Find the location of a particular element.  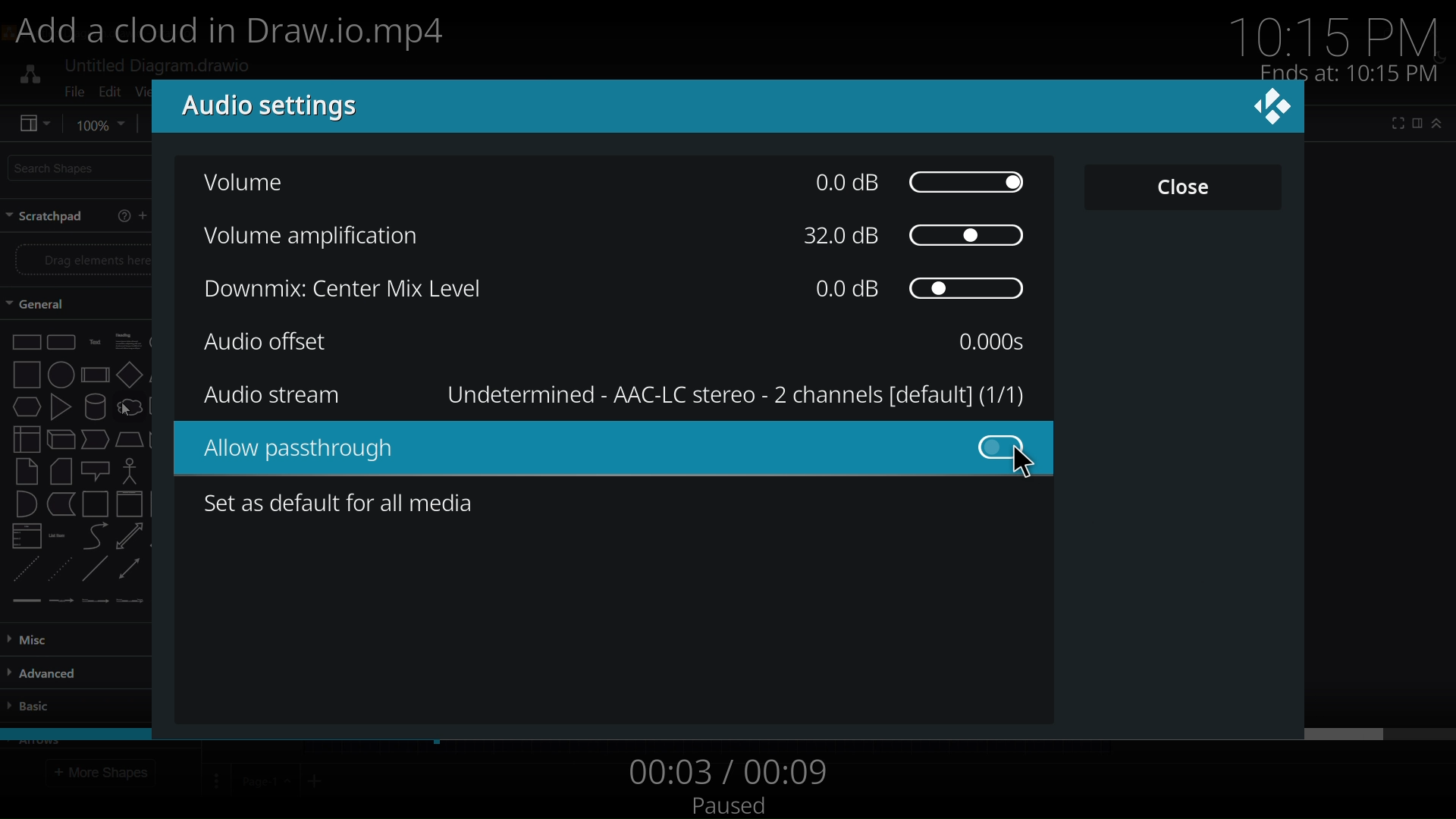

Ends at: 10:15 PM is located at coordinates (1346, 73).